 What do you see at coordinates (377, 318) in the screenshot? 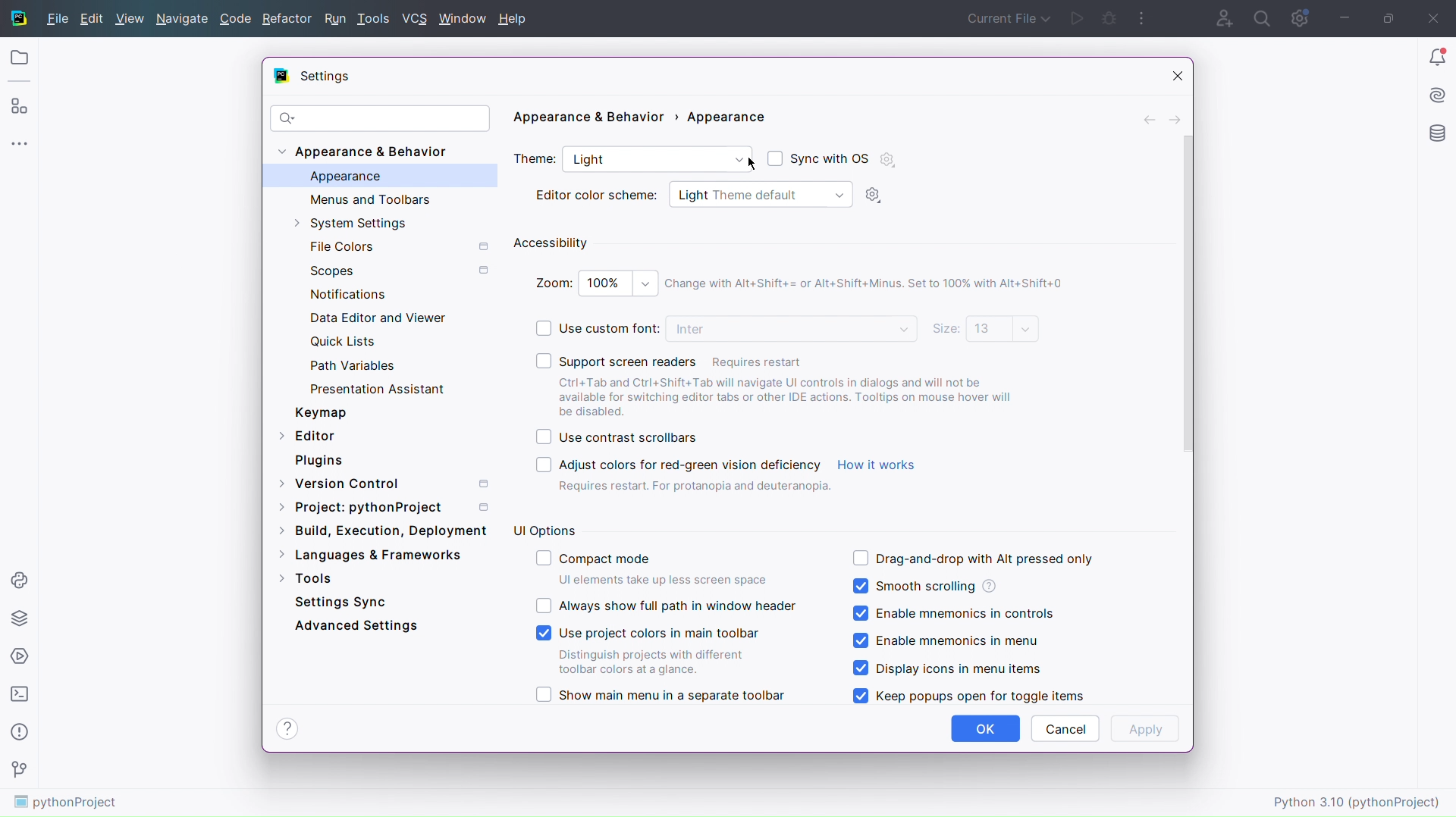
I see `Data Editor and Viewer` at bounding box center [377, 318].